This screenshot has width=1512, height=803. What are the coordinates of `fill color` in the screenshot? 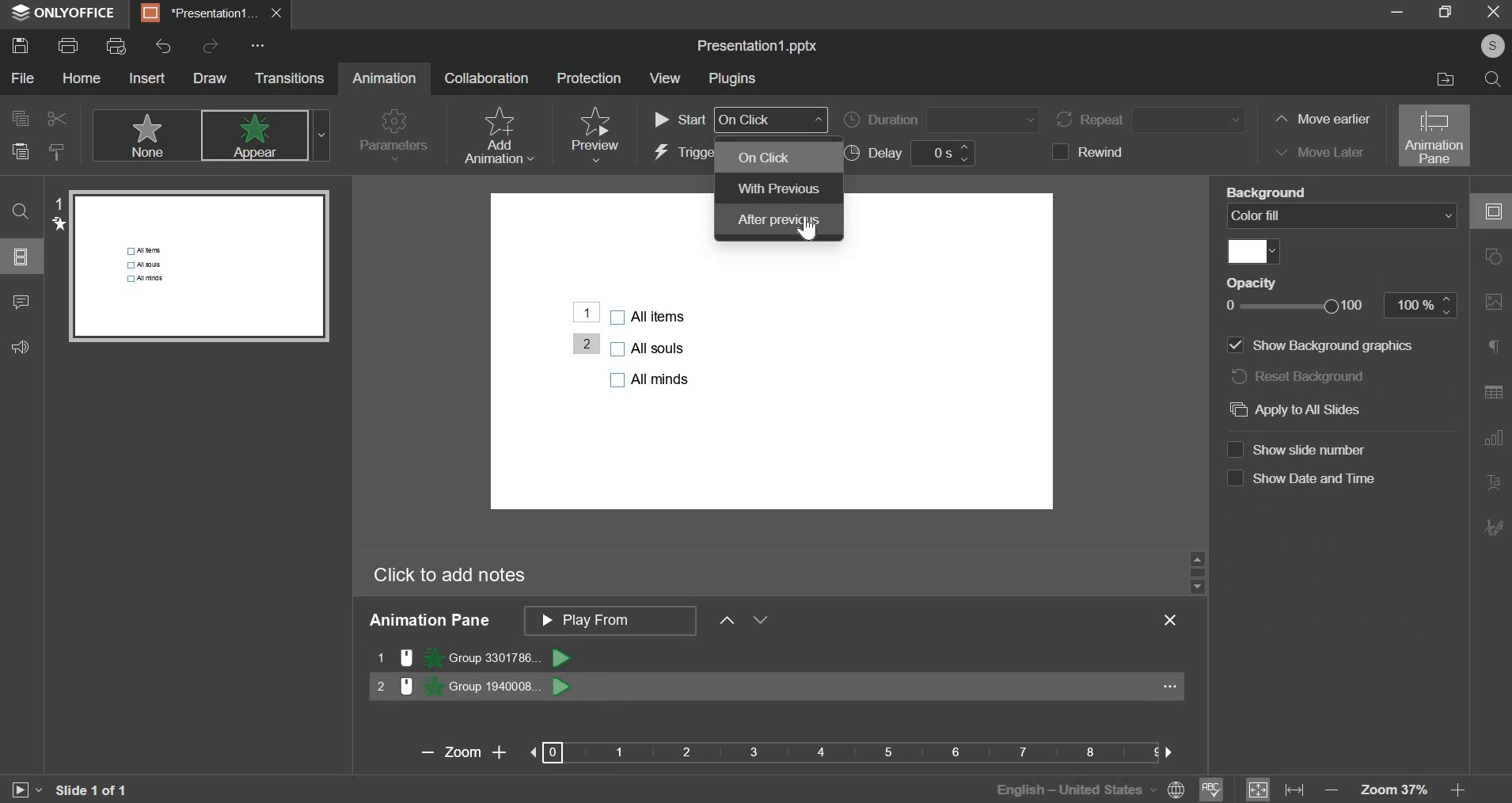 It's located at (1252, 253).